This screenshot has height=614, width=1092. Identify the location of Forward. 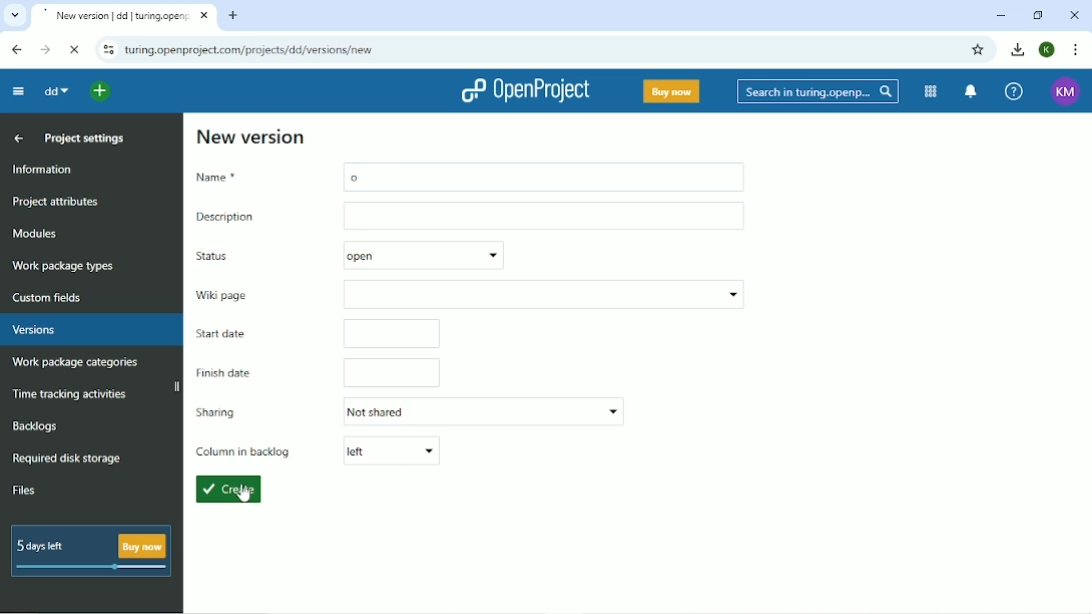
(46, 49).